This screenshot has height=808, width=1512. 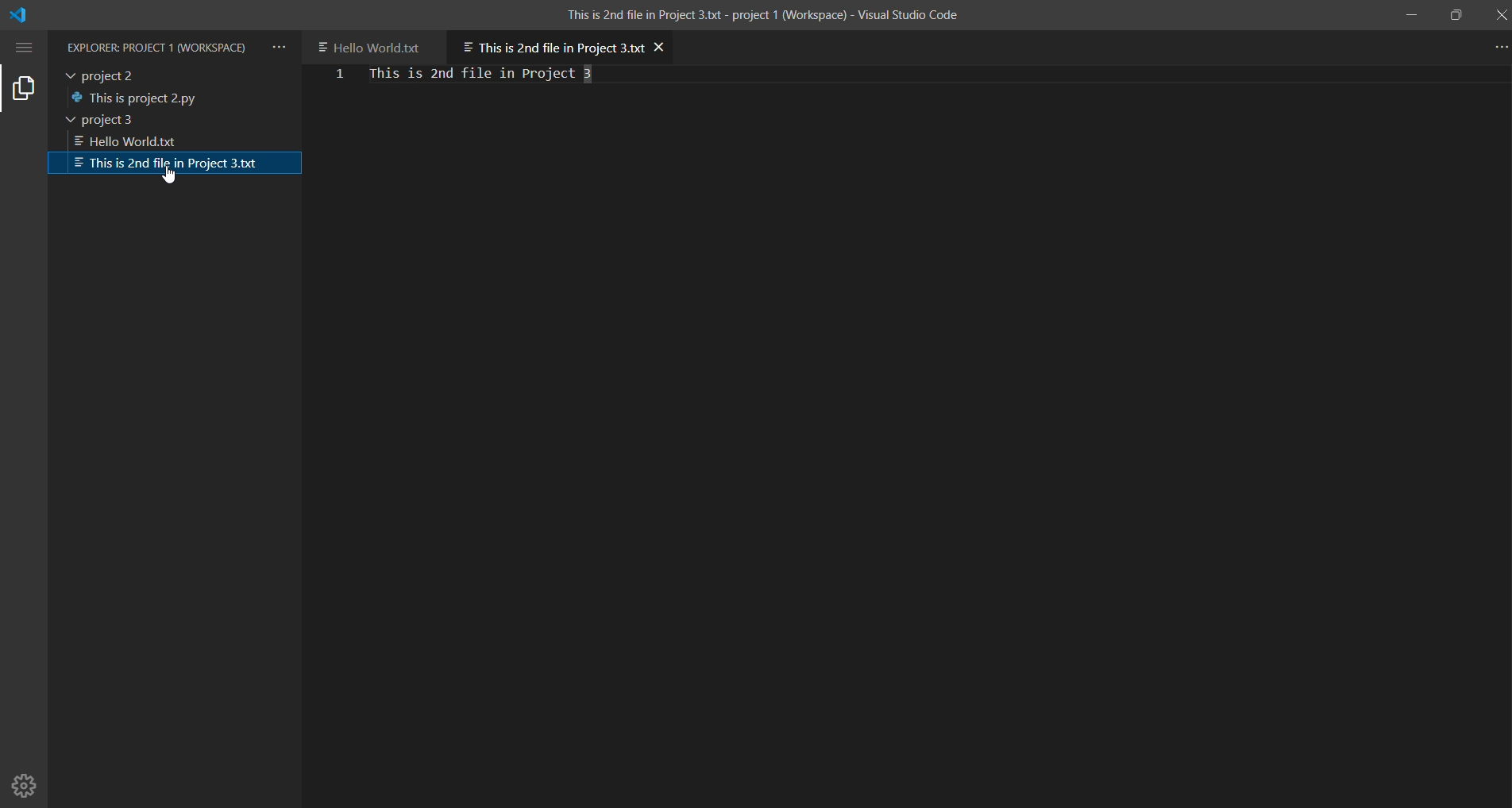 What do you see at coordinates (1457, 17) in the screenshot?
I see `maximize` at bounding box center [1457, 17].